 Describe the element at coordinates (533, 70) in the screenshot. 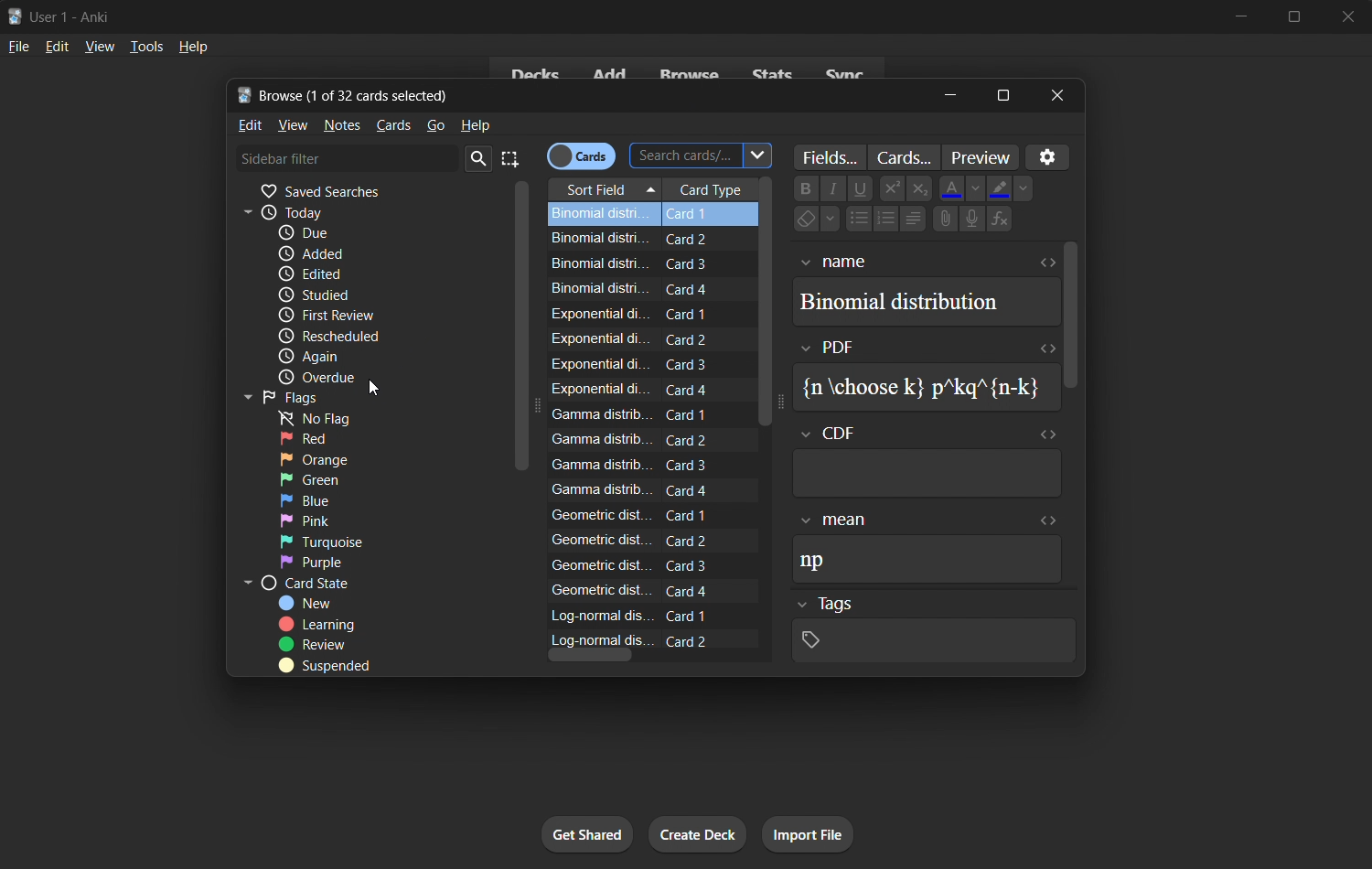

I see `decks` at that location.